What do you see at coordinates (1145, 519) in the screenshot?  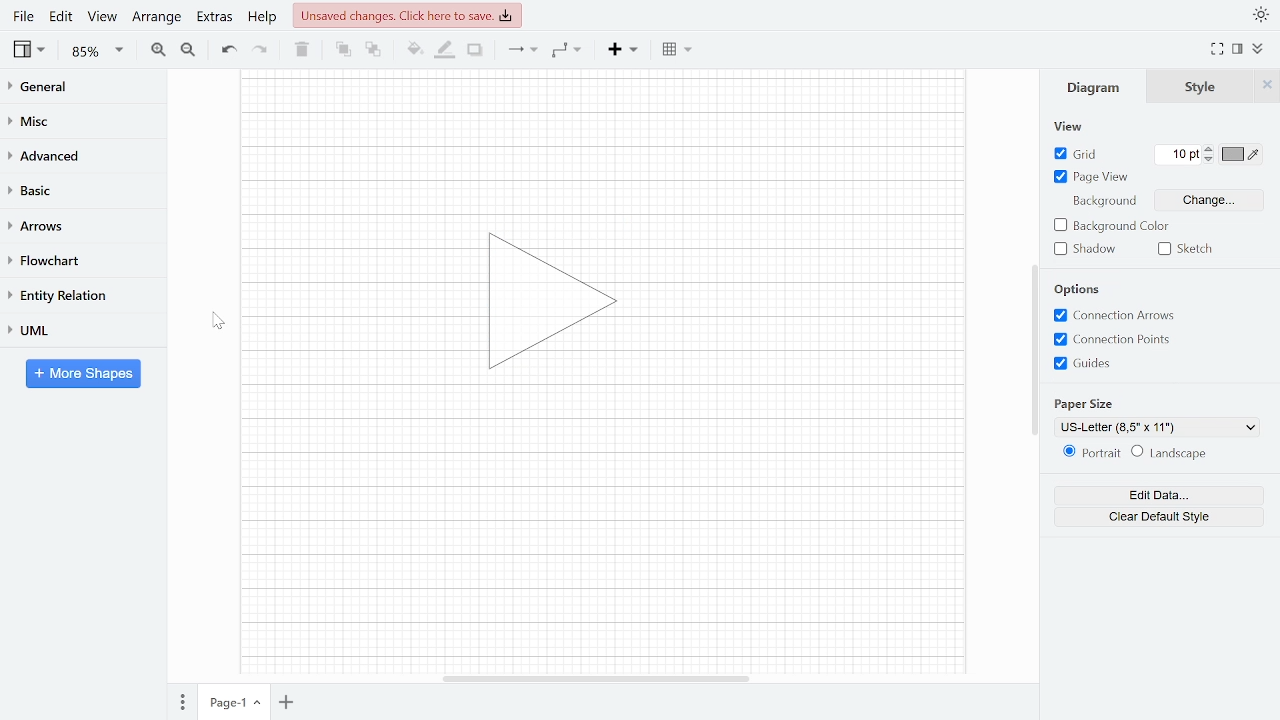 I see `Clear Default Style` at bounding box center [1145, 519].